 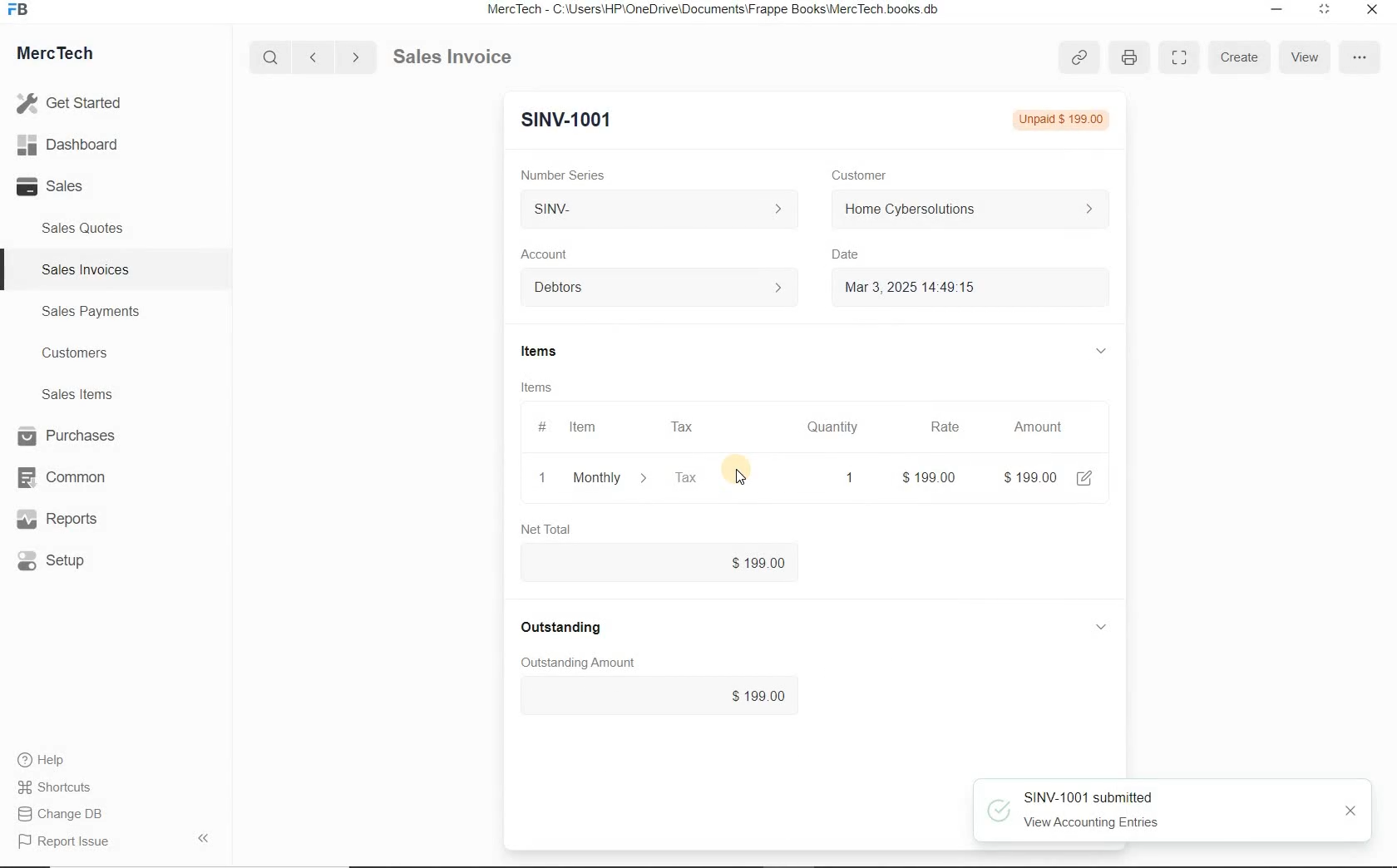 What do you see at coordinates (848, 254) in the screenshot?
I see `Date` at bounding box center [848, 254].